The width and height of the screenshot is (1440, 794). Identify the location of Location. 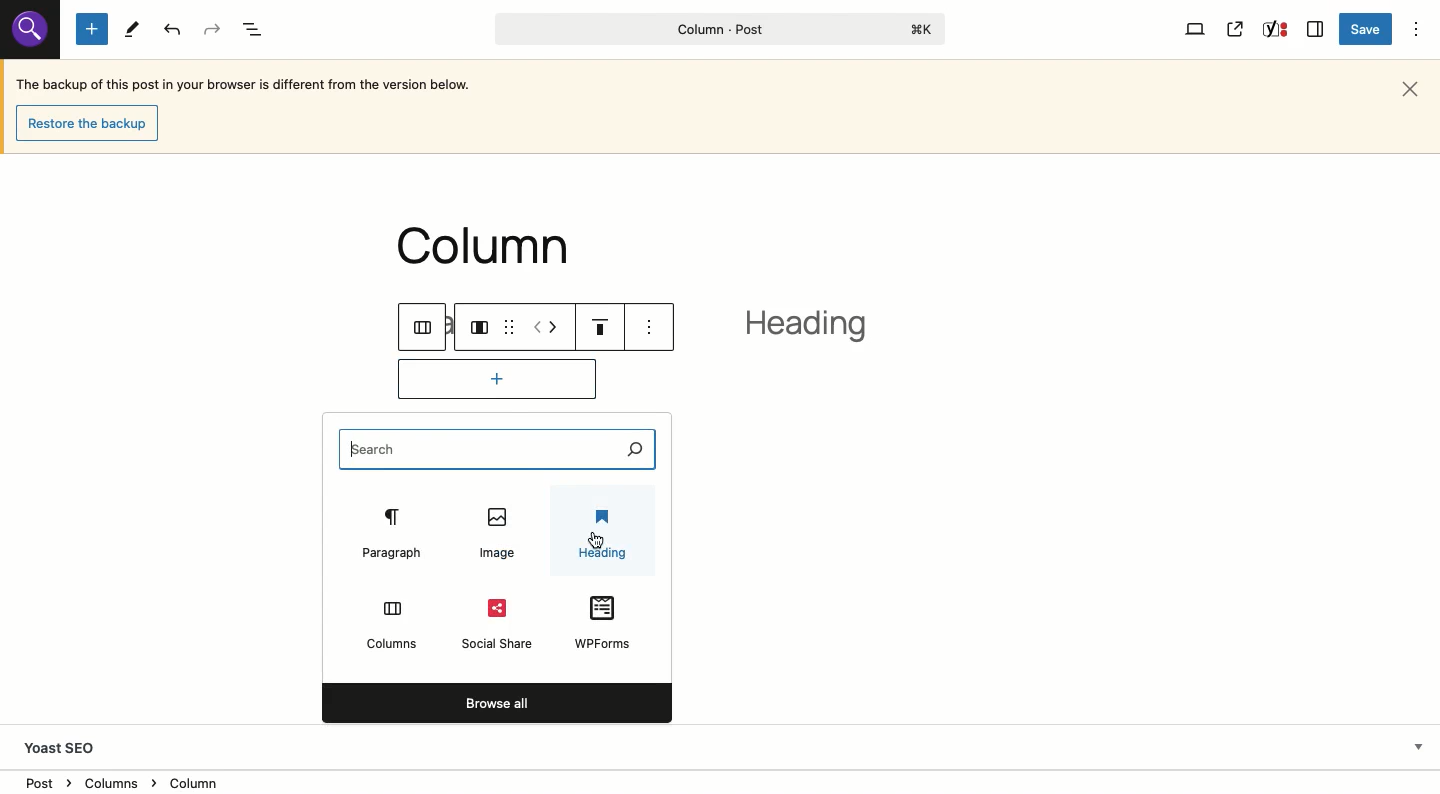
(722, 782).